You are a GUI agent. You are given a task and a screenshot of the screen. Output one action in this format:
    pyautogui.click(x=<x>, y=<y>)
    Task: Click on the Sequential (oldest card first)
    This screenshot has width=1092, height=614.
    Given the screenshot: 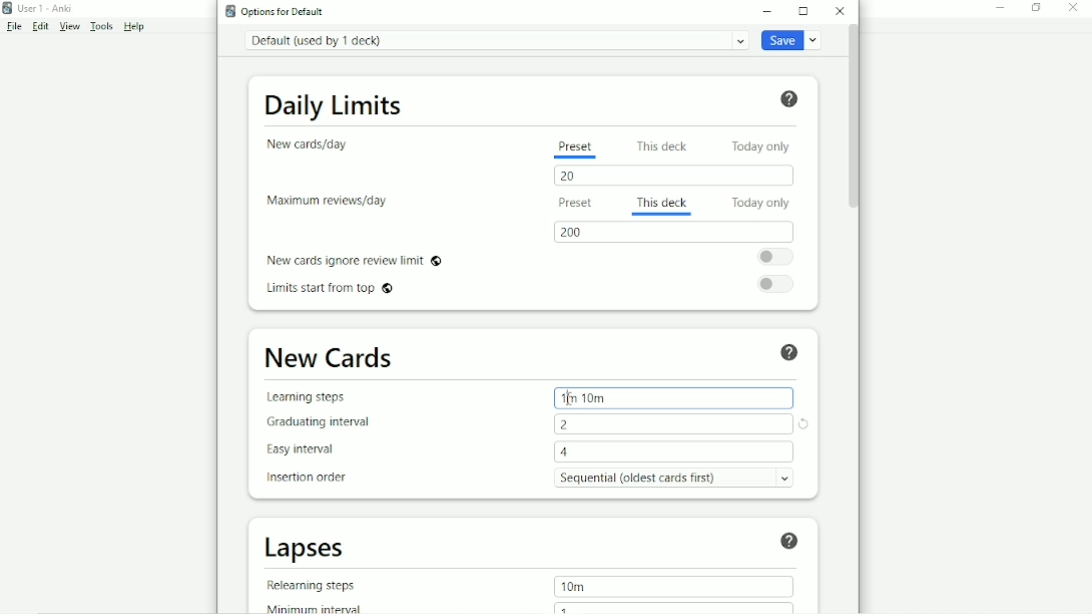 What is the action you would take?
    pyautogui.click(x=674, y=477)
    